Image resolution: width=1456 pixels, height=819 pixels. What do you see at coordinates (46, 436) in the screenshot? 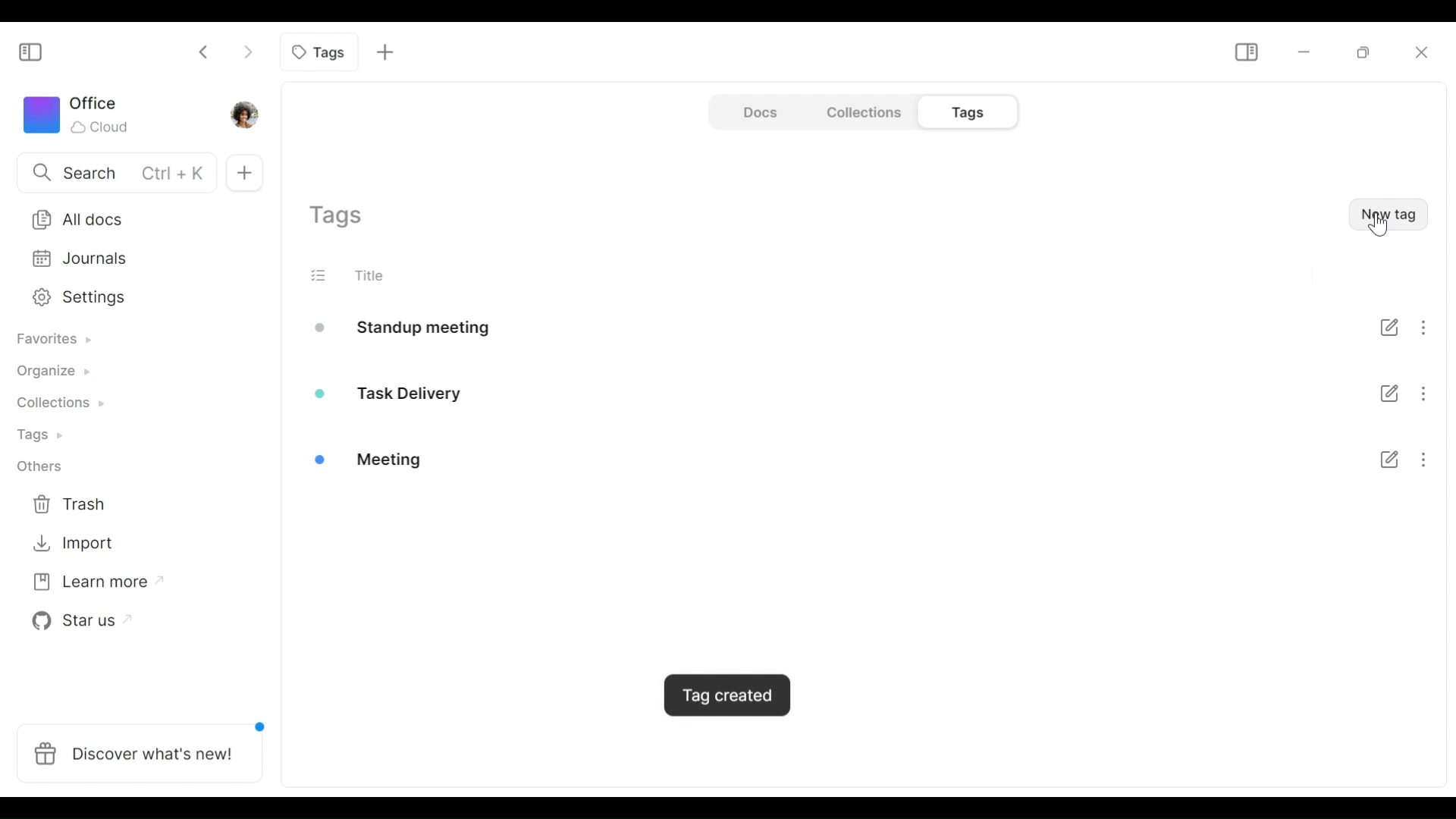
I see `Tags` at bounding box center [46, 436].